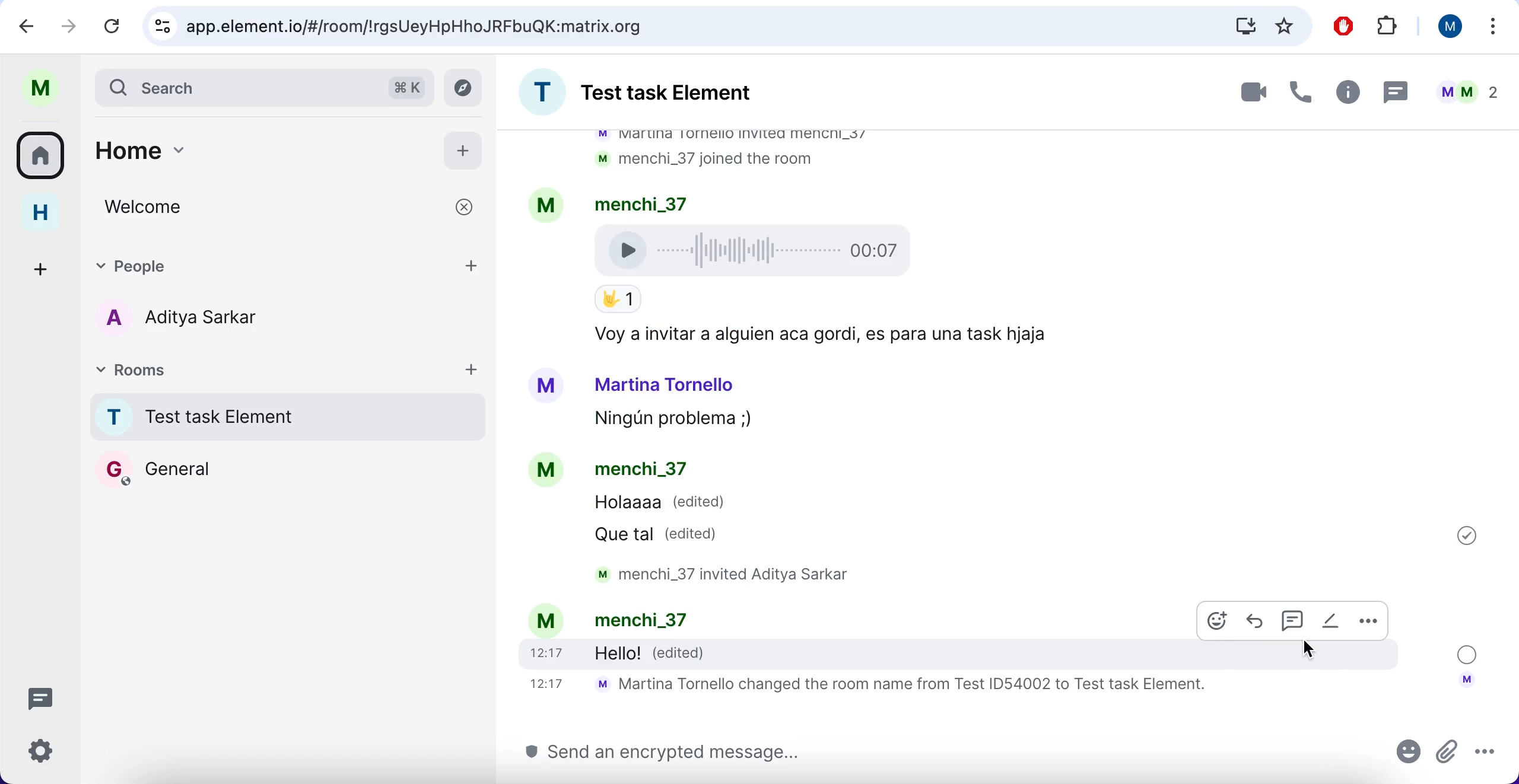 The image size is (1519, 784). What do you see at coordinates (39, 216) in the screenshot?
I see `home` at bounding box center [39, 216].